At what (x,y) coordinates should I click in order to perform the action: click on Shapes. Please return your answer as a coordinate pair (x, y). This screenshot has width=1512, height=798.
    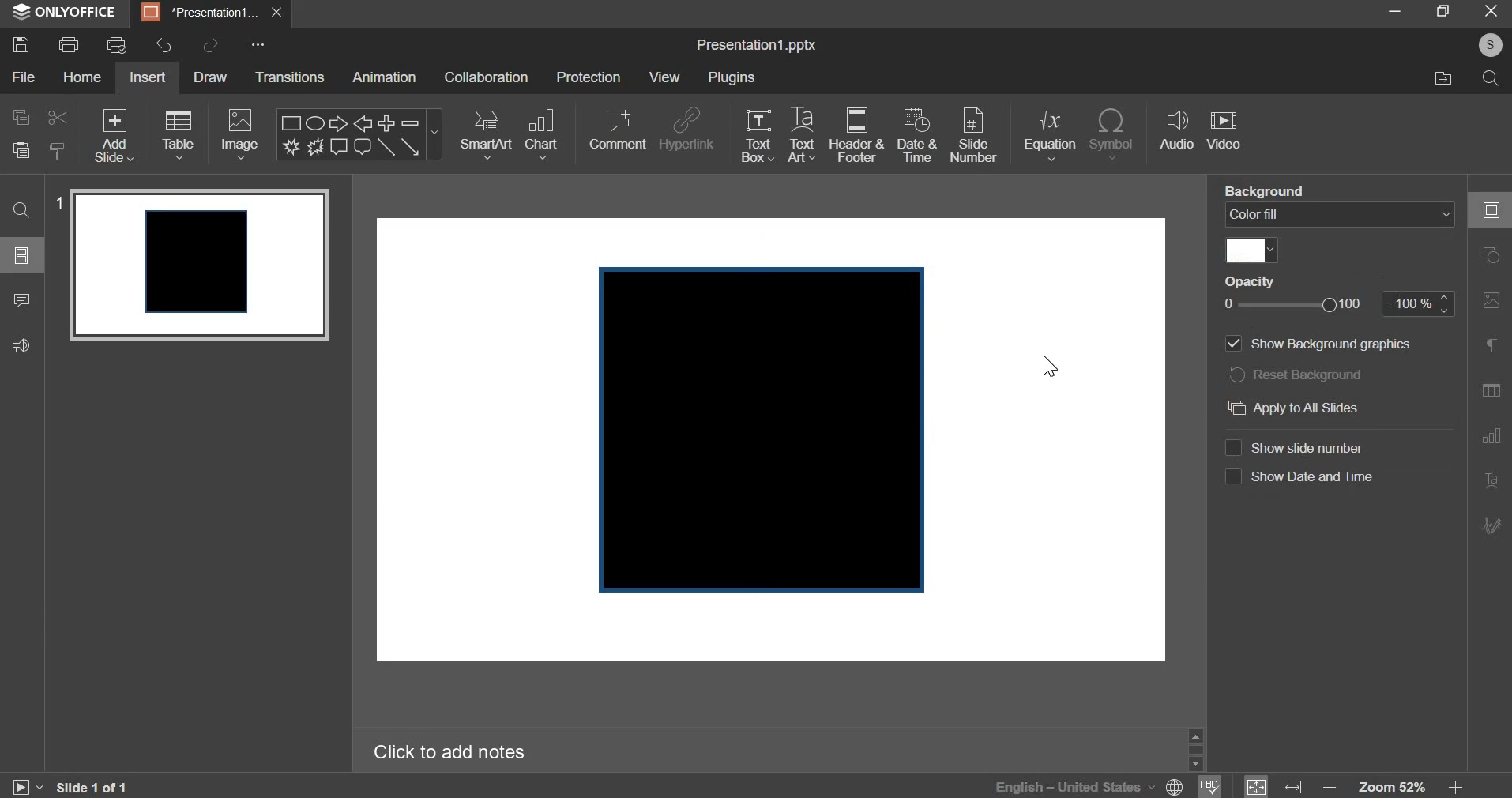
    Looking at the image, I should click on (1490, 209).